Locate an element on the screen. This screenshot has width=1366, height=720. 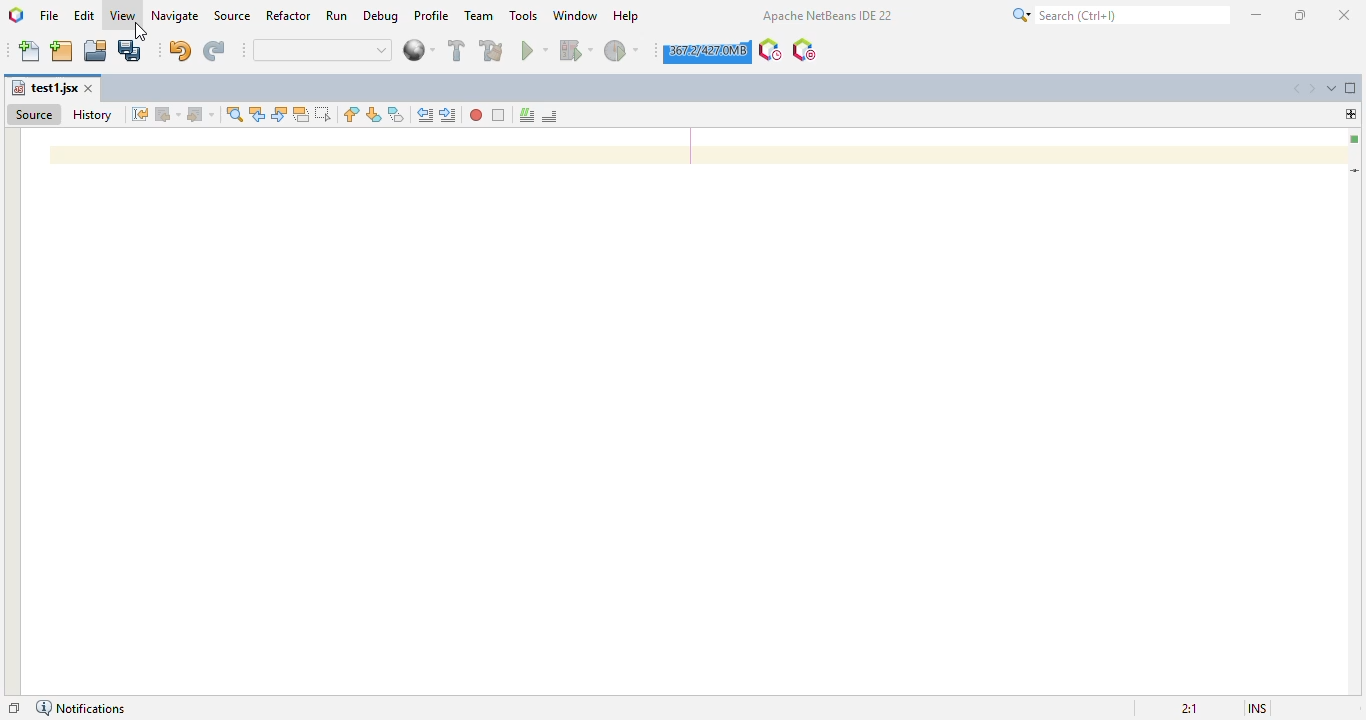
scroll documents left is located at coordinates (1296, 89).